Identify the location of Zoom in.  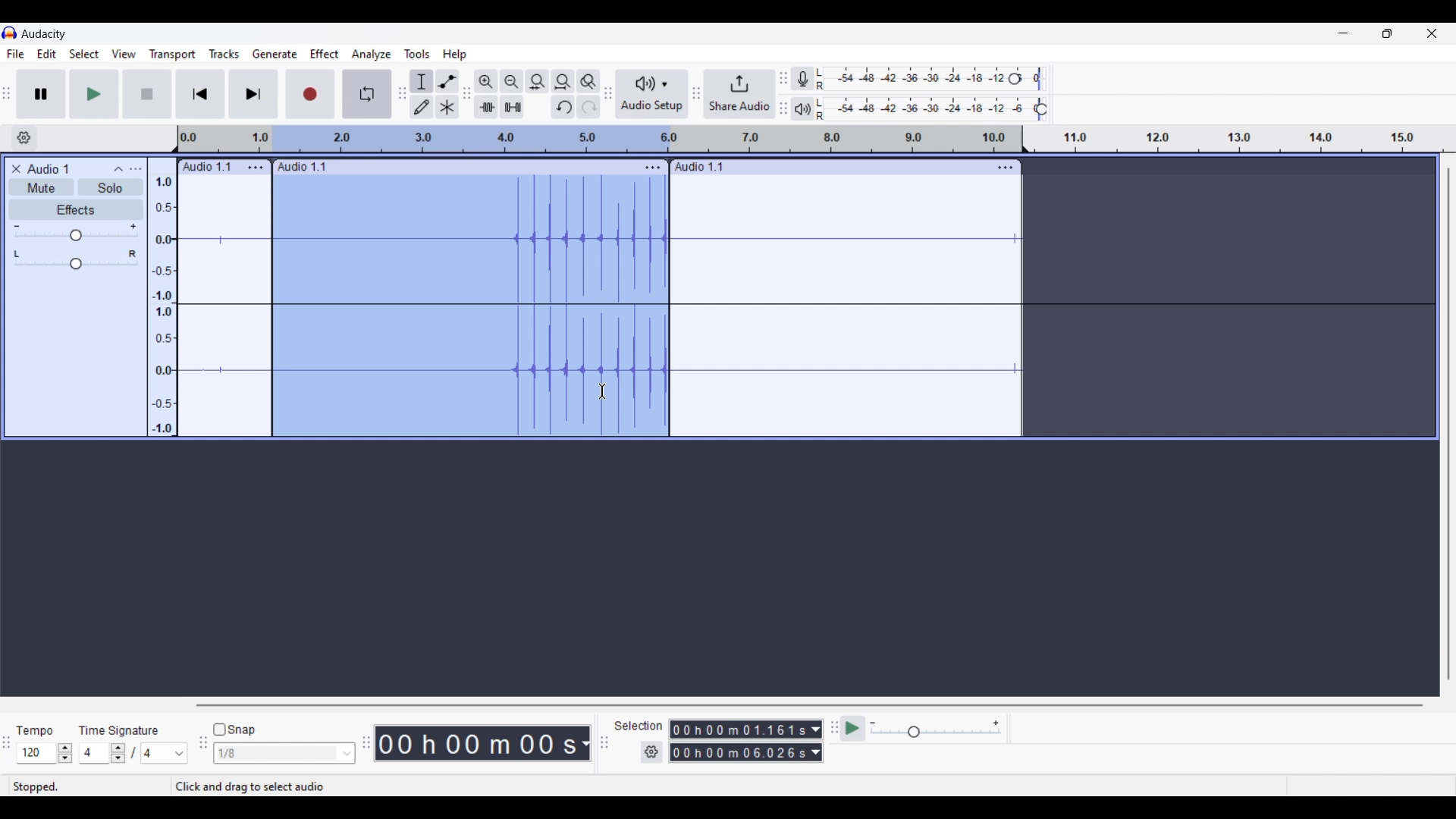
(485, 80).